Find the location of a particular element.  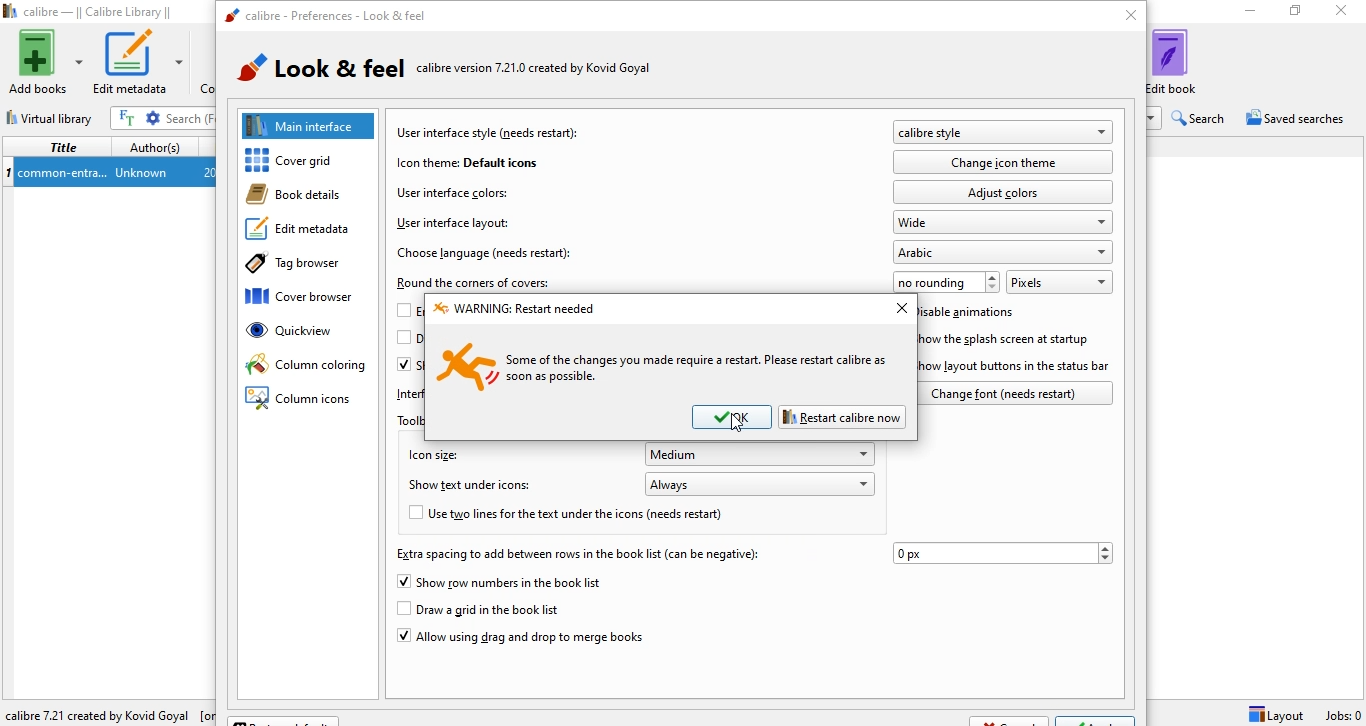

calibre - || Calibre Library || is located at coordinates (92, 12).